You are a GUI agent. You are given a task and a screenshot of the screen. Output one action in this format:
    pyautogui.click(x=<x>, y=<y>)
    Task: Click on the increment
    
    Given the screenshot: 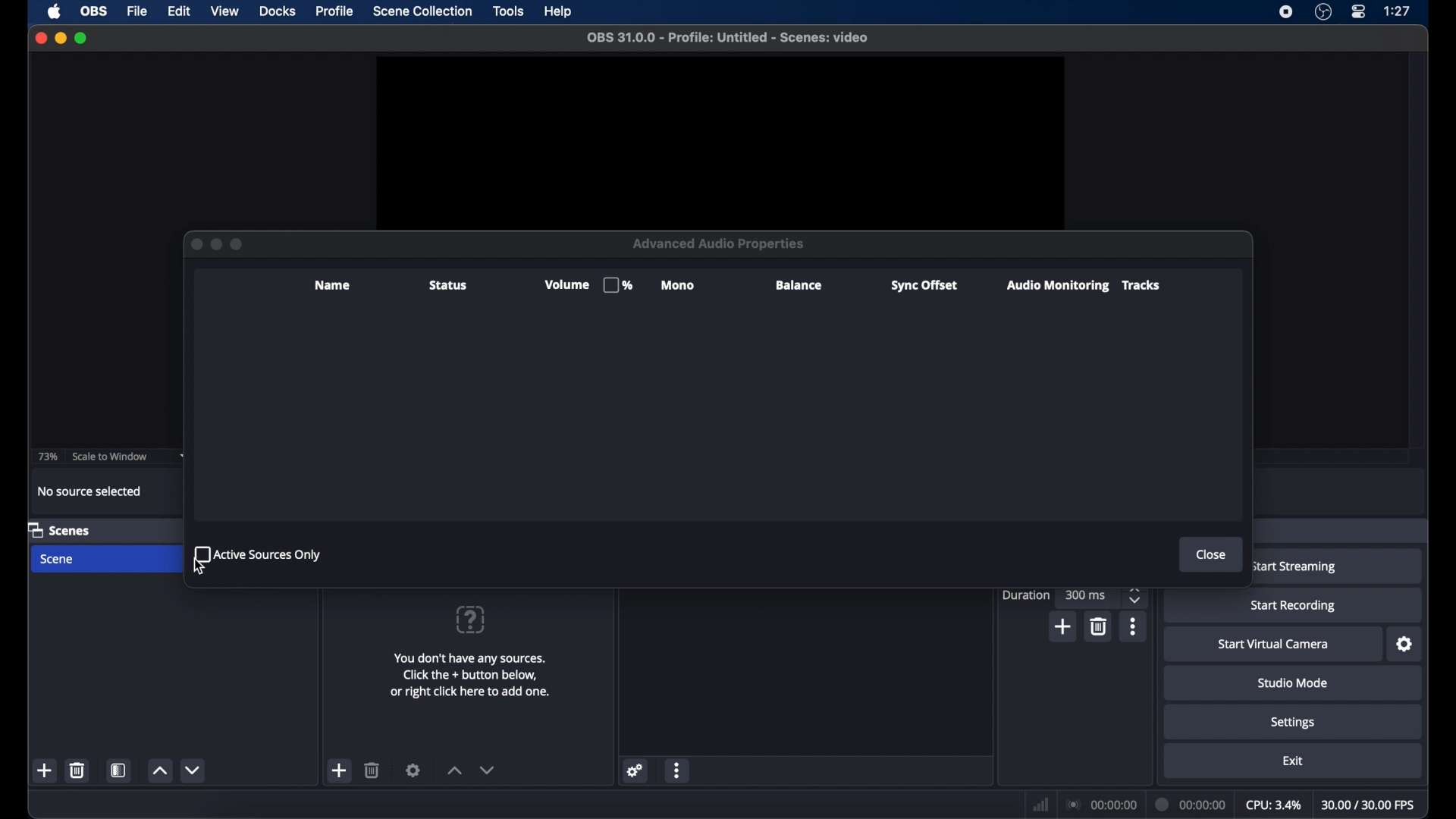 What is the action you would take?
    pyautogui.click(x=453, y=770)
    